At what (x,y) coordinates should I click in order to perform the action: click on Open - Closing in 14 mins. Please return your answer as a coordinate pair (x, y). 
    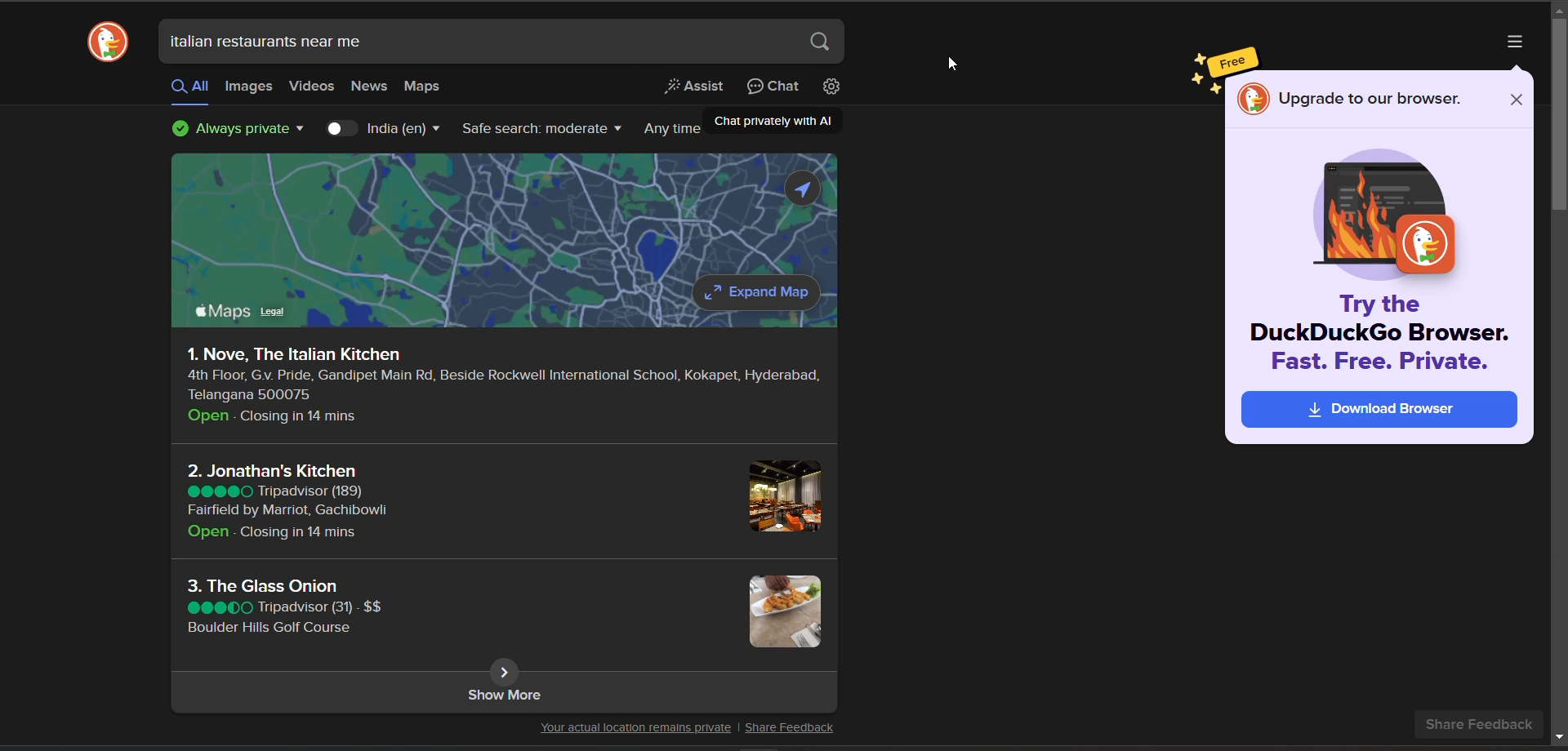
    Looking at the image, I should click on (269, 532).